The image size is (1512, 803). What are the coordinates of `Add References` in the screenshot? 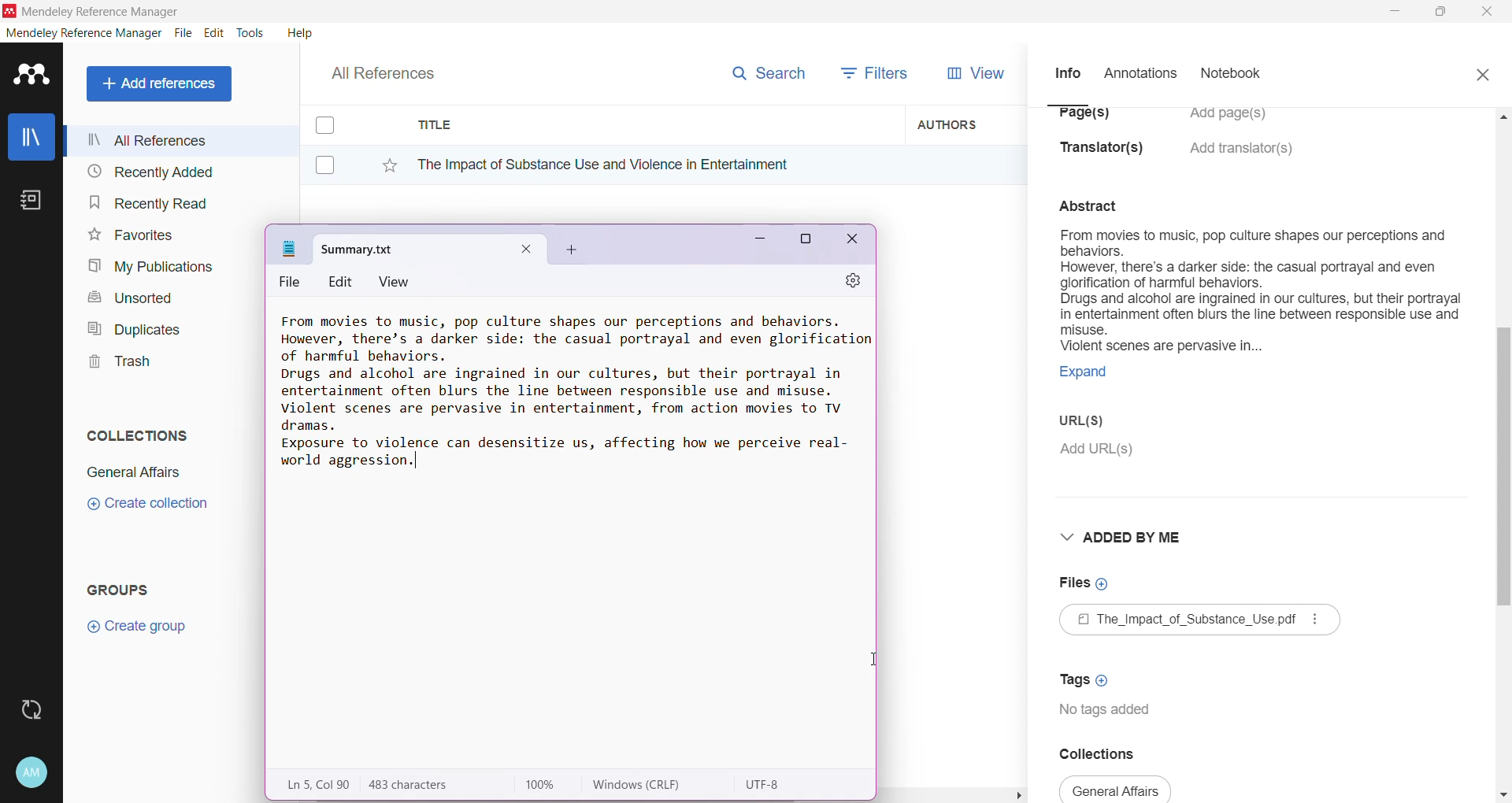 It's located at (162, 83).